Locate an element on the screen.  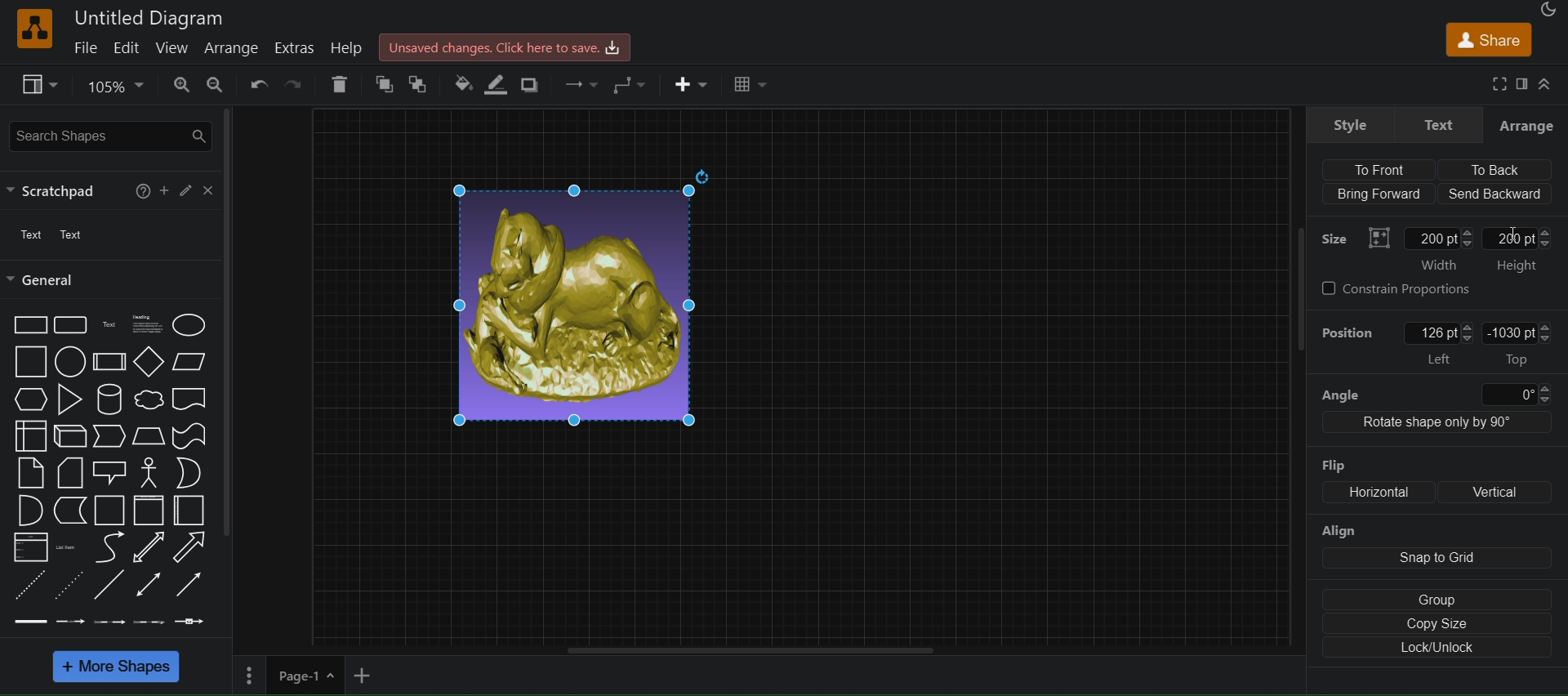
text is located at coordinates (28, 236).